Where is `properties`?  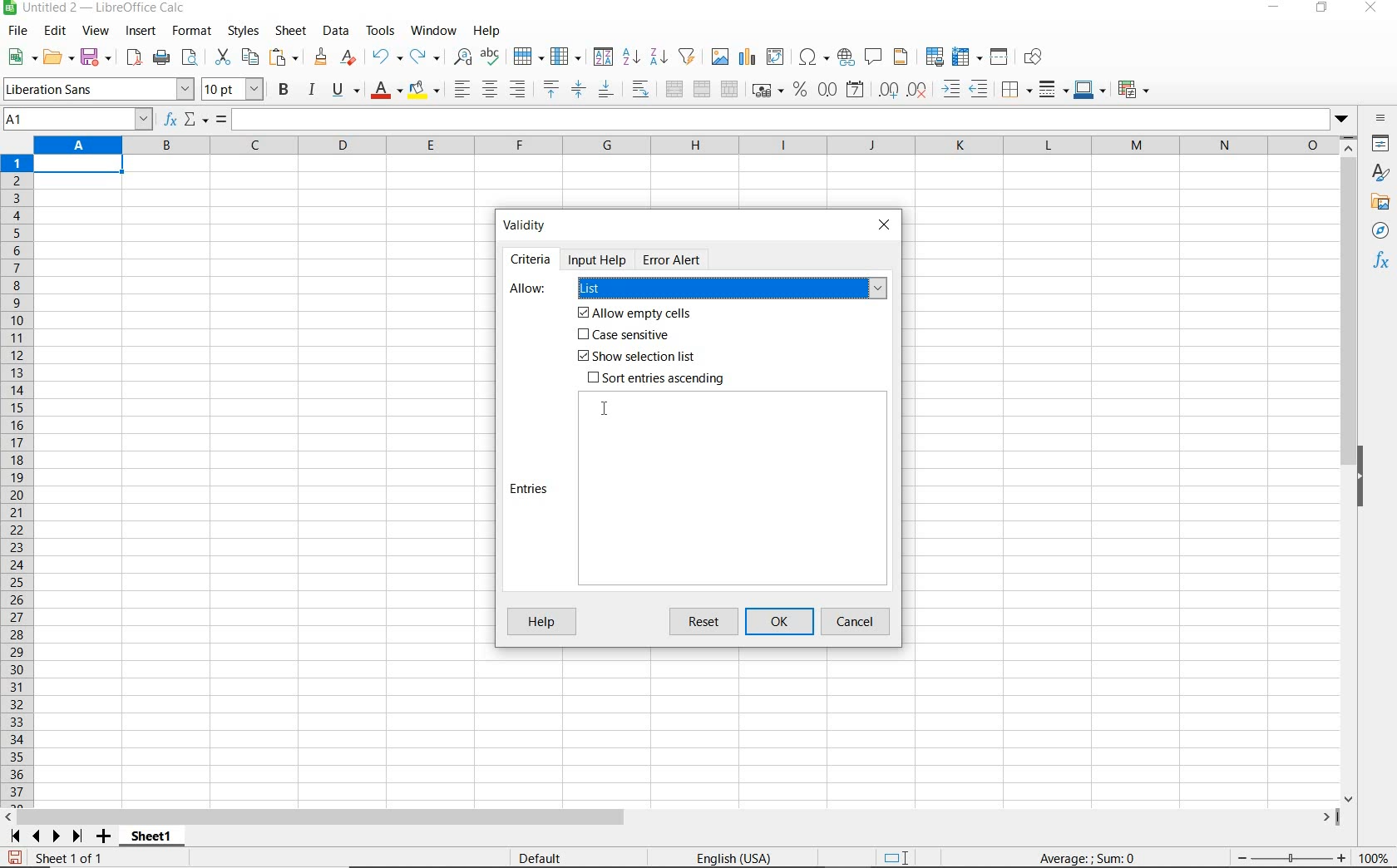 properties is located at coordinates (1382, 145).